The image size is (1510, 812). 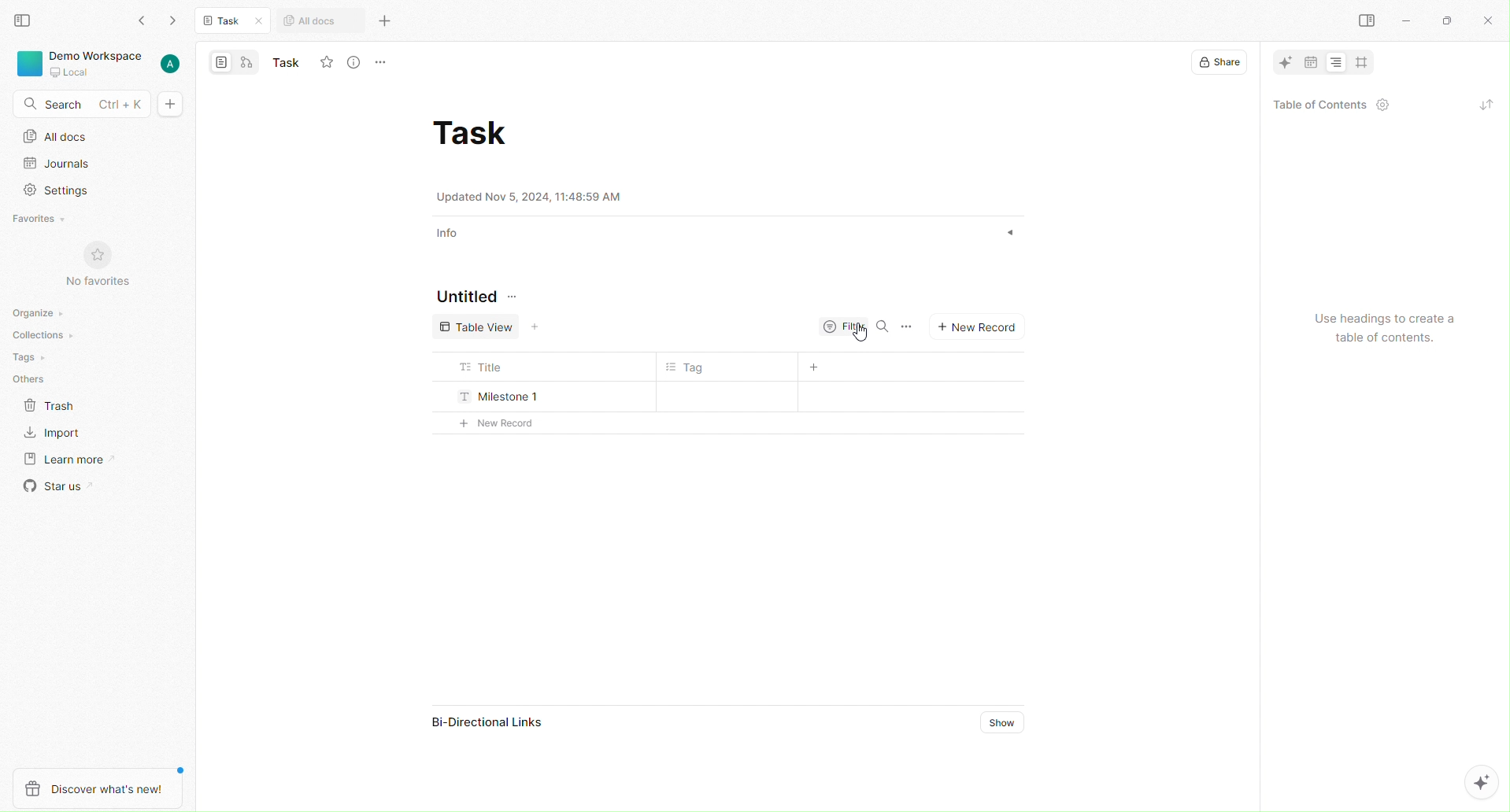 What do you see at coordinates (80, 460) in the screenshot?
I see `Learn More` at bounding box center [80, 460].